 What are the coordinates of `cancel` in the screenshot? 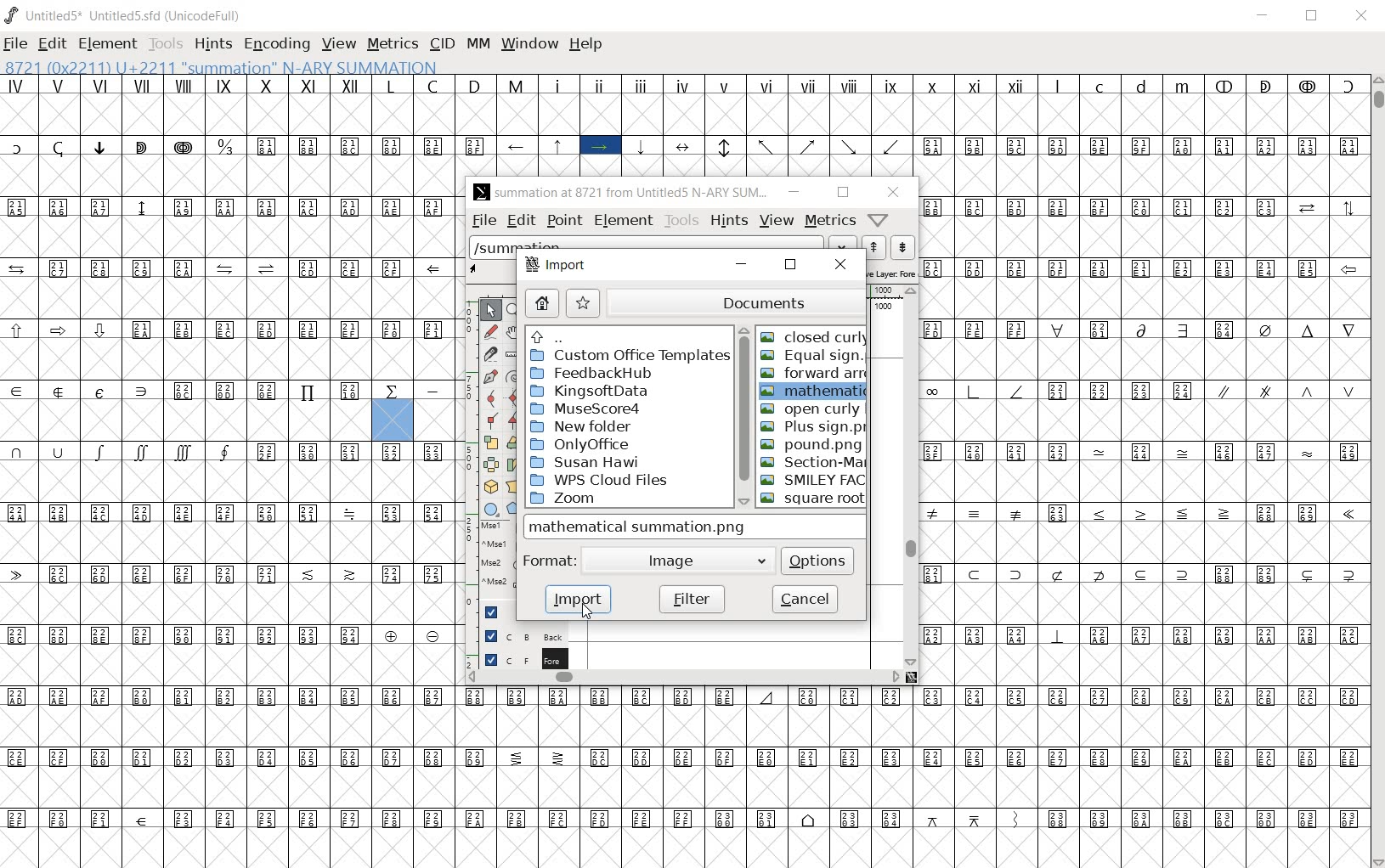 It's located at (806, 599).